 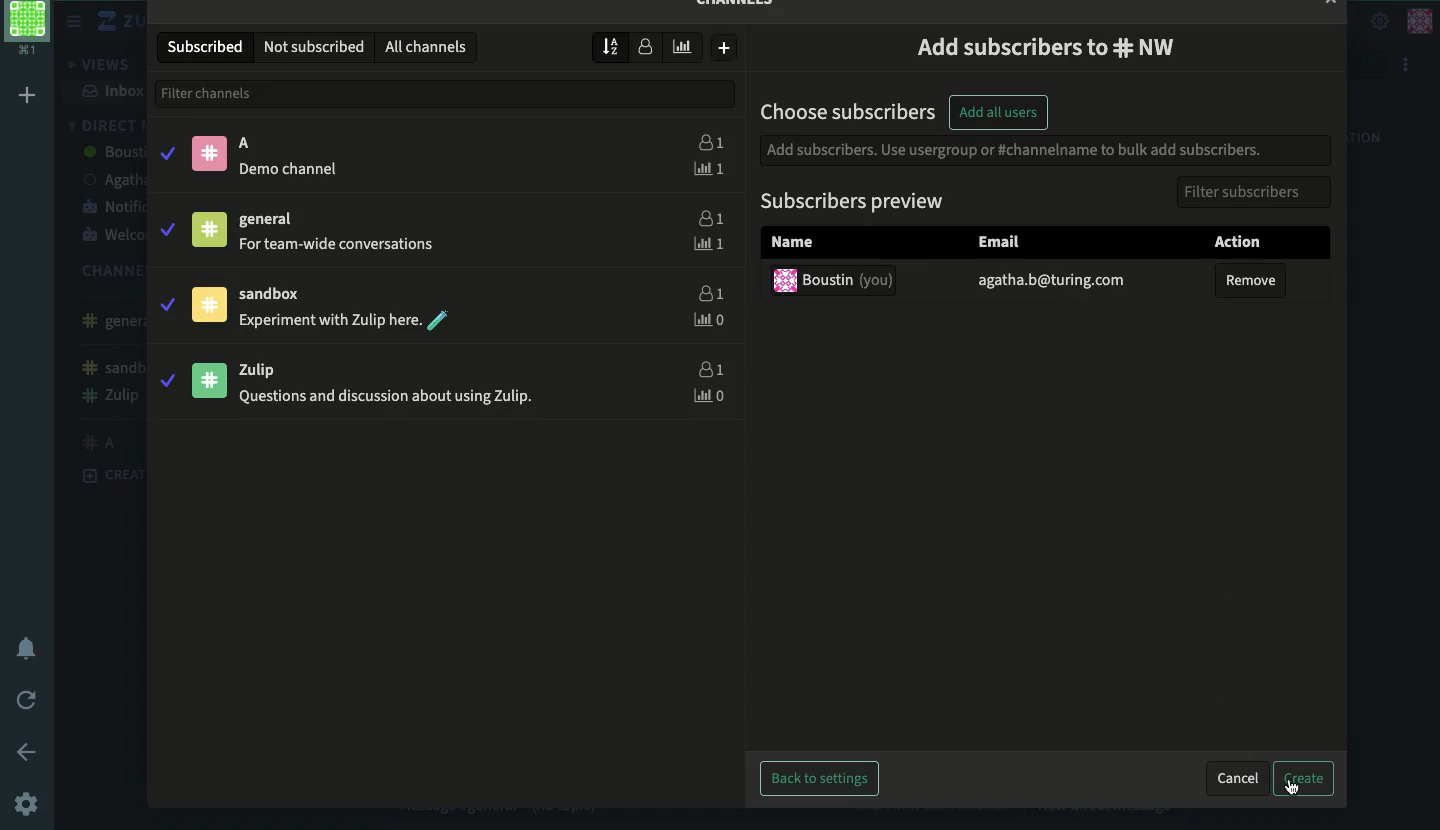 What do you see at coordinates (252, 144) in the screenshot?
I see `A` at bounding box center [252, 144].